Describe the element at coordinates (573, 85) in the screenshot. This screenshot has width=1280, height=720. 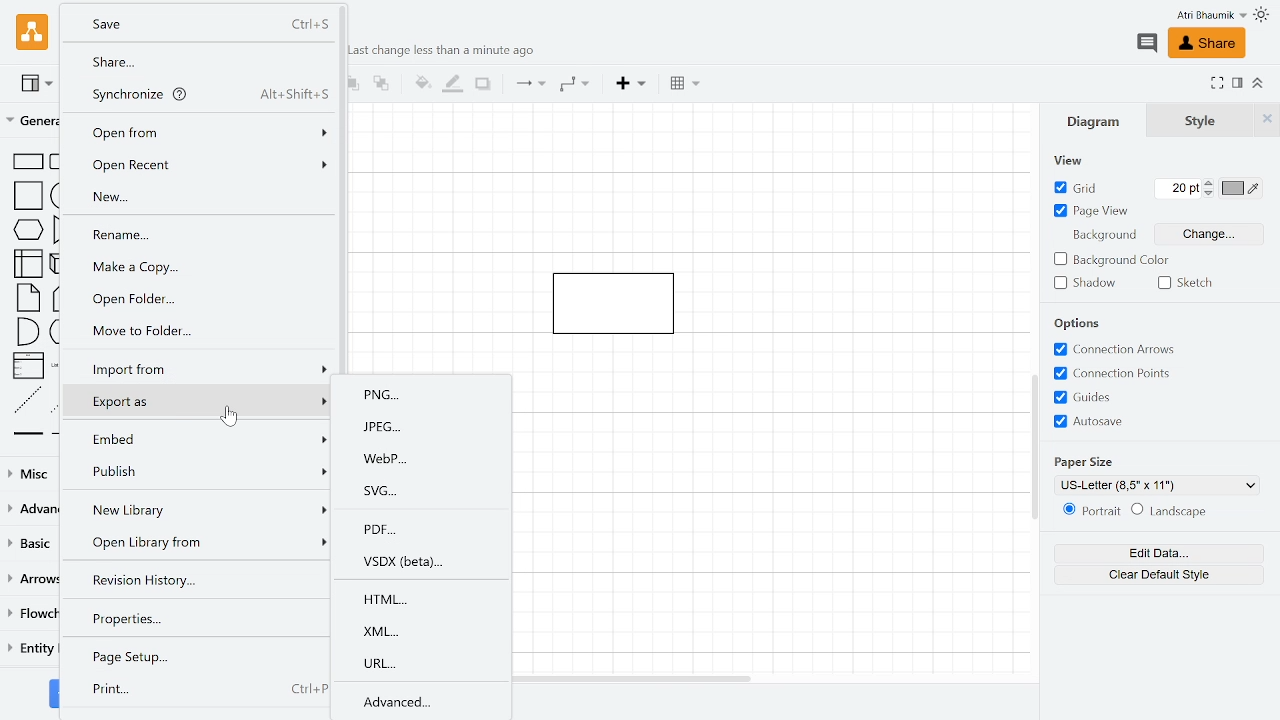
I see `Waypoints` at that location.